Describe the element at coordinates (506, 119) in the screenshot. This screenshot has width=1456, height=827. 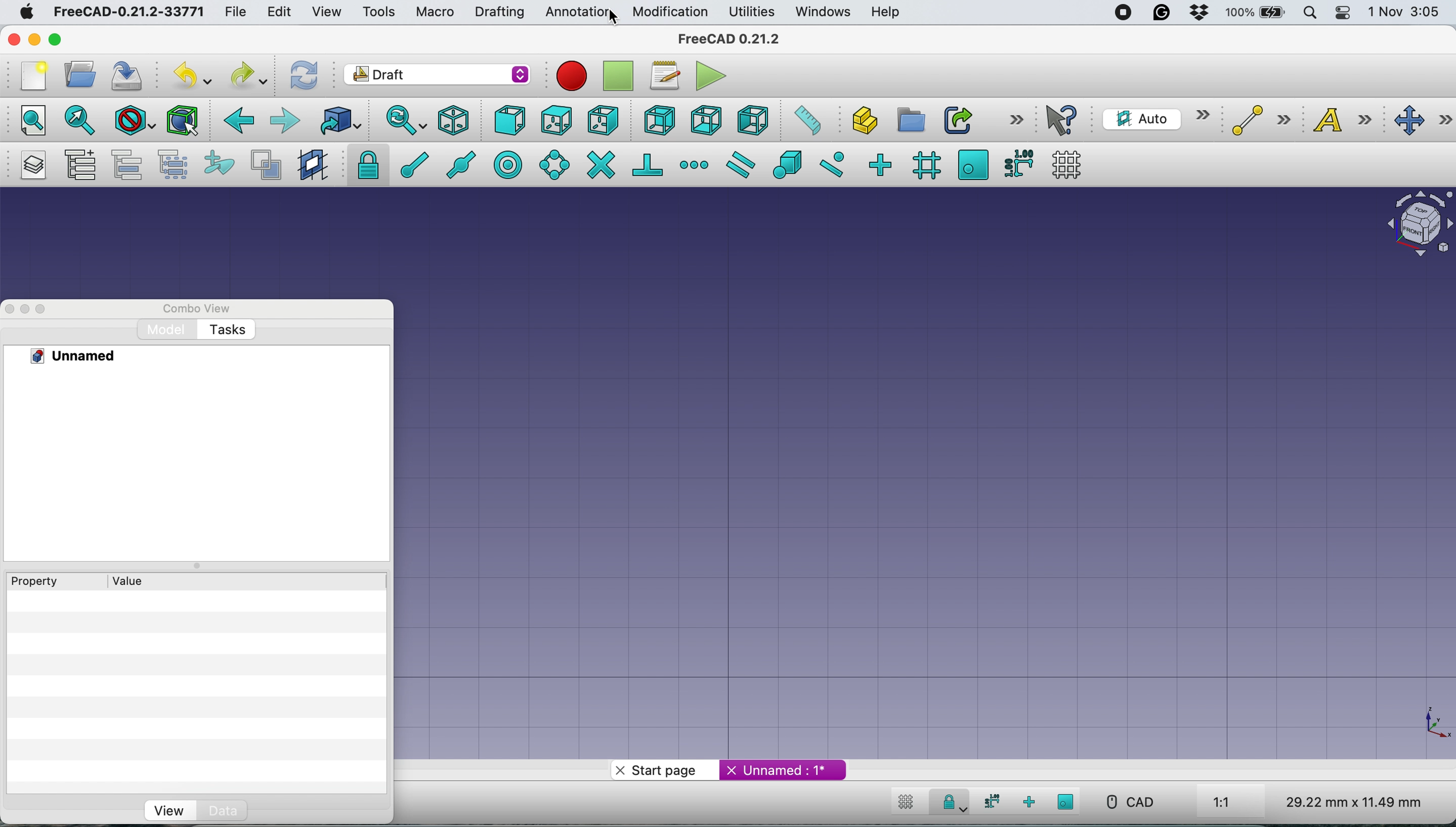
I see `front` at that location.